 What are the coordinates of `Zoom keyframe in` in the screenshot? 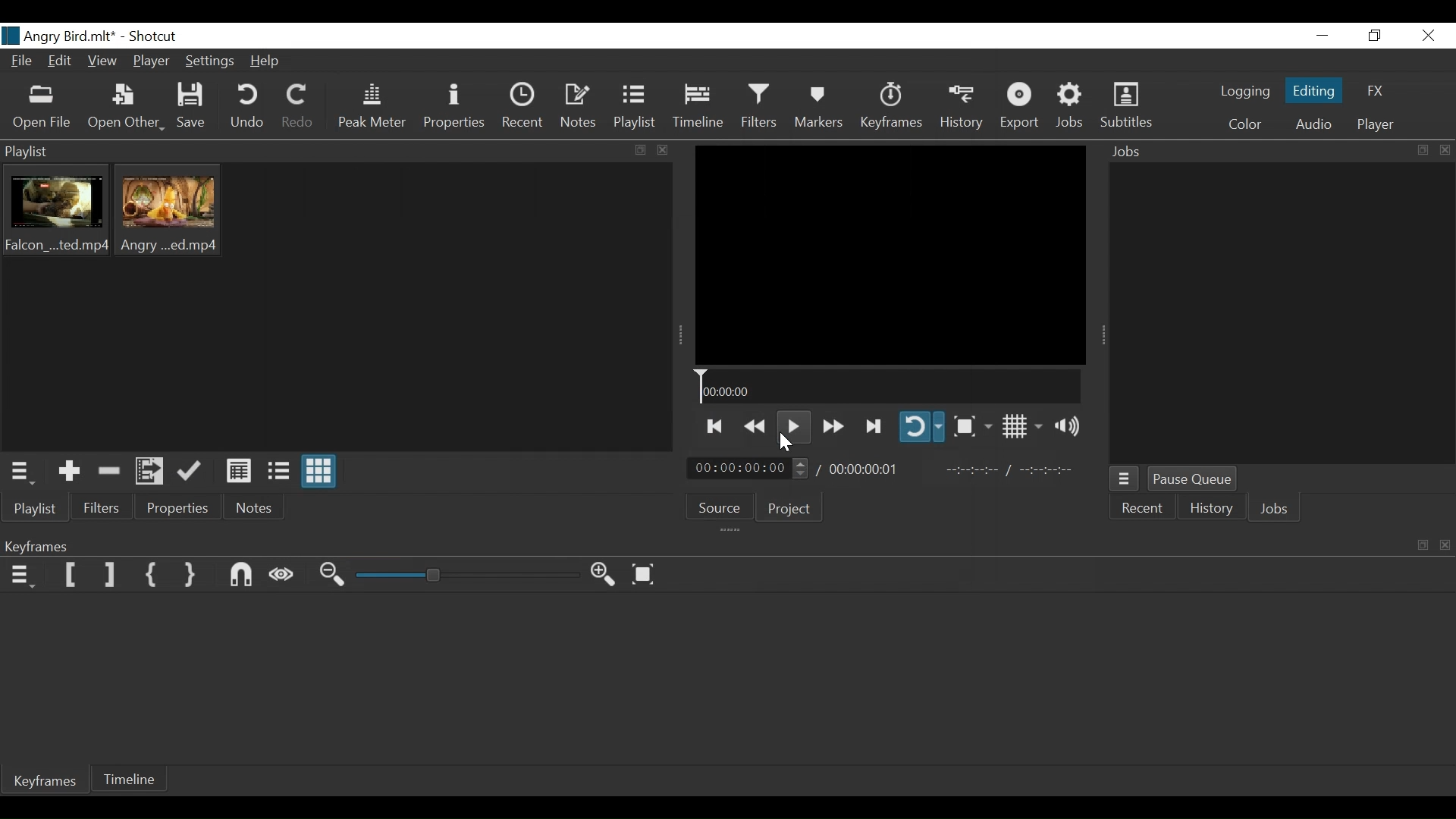 It's located at (333, 574).